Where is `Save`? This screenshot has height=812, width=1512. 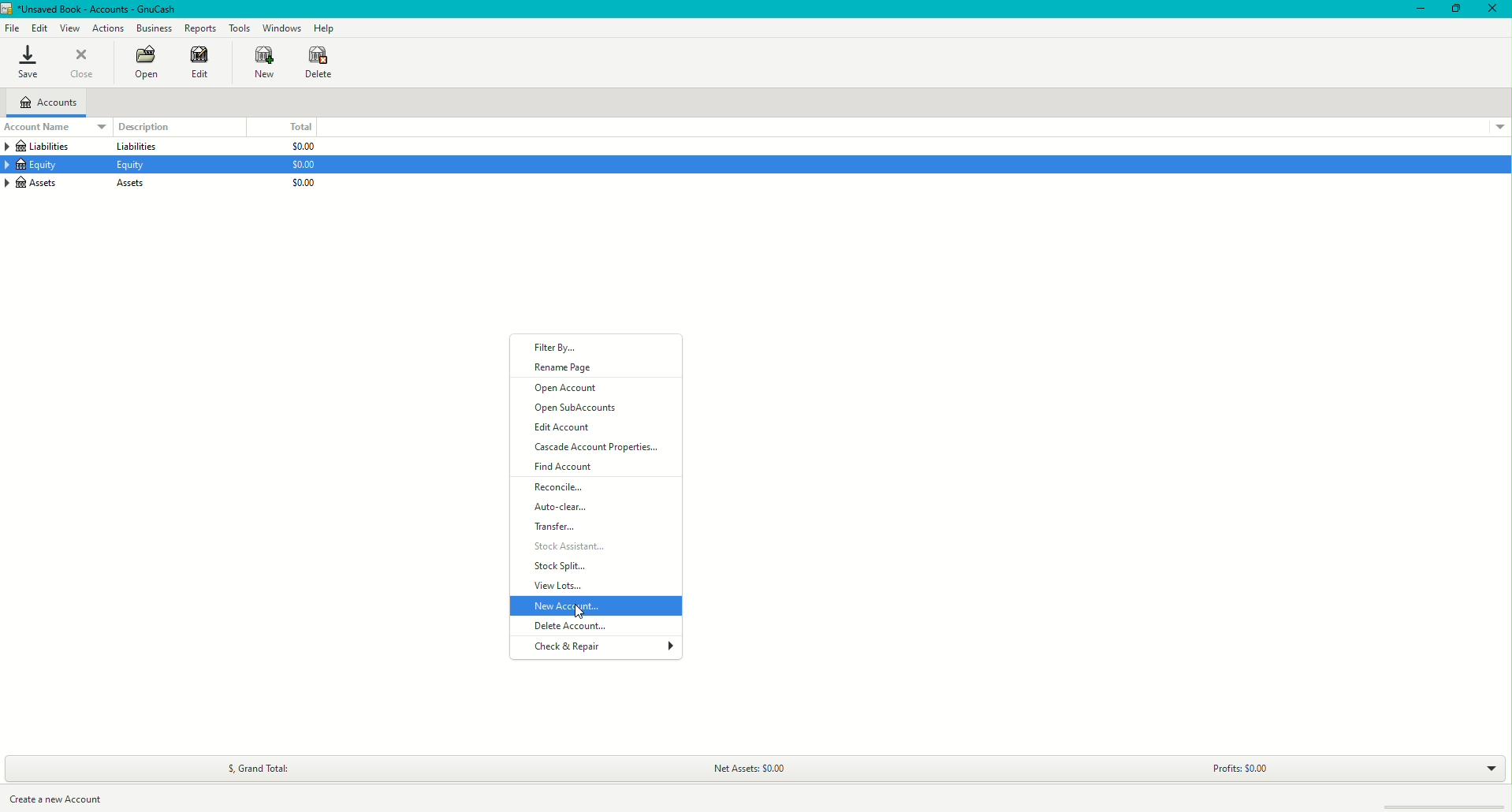
Save is located at coordinates (27, 63).